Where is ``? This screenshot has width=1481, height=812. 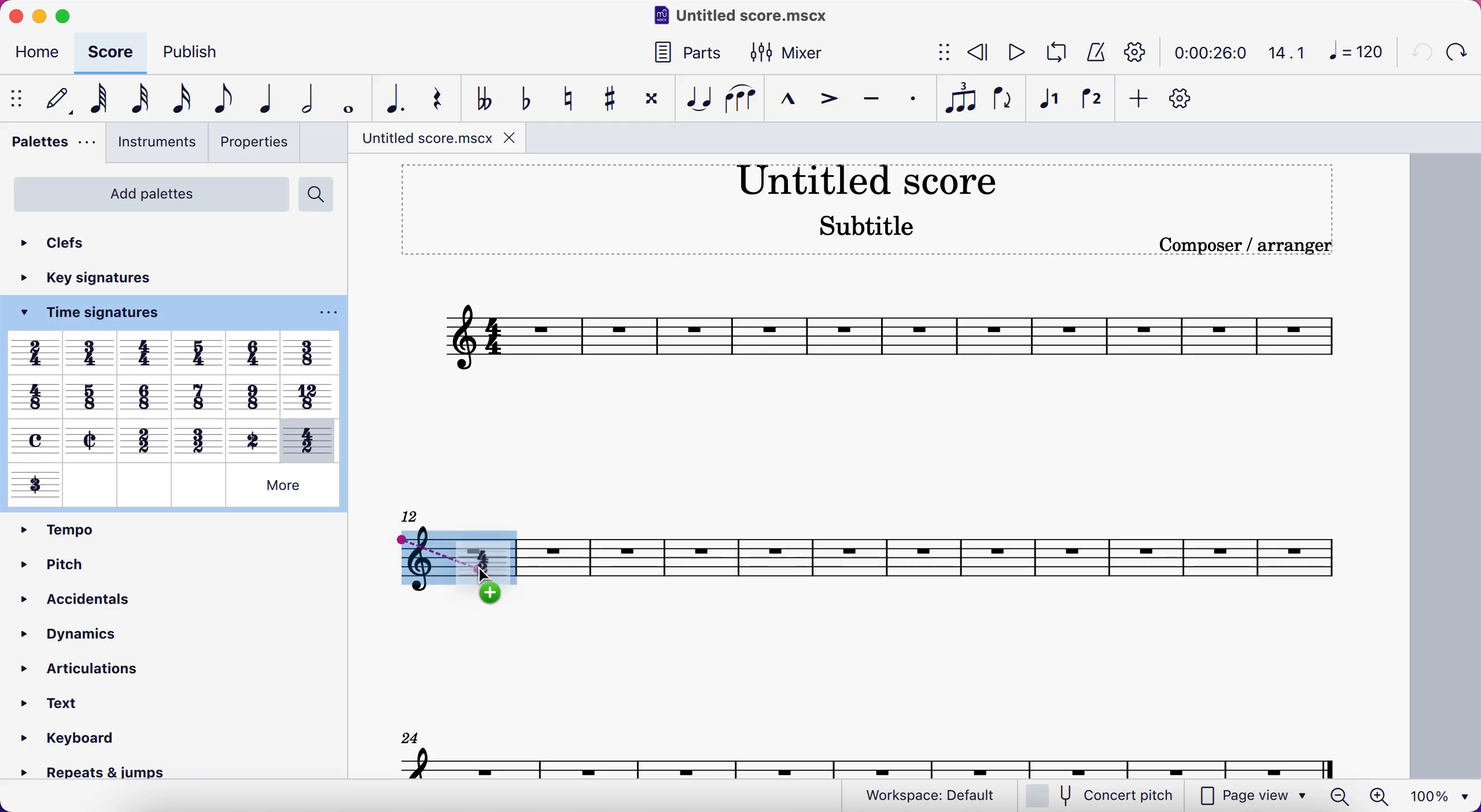  is located at coordinates (74, 598).